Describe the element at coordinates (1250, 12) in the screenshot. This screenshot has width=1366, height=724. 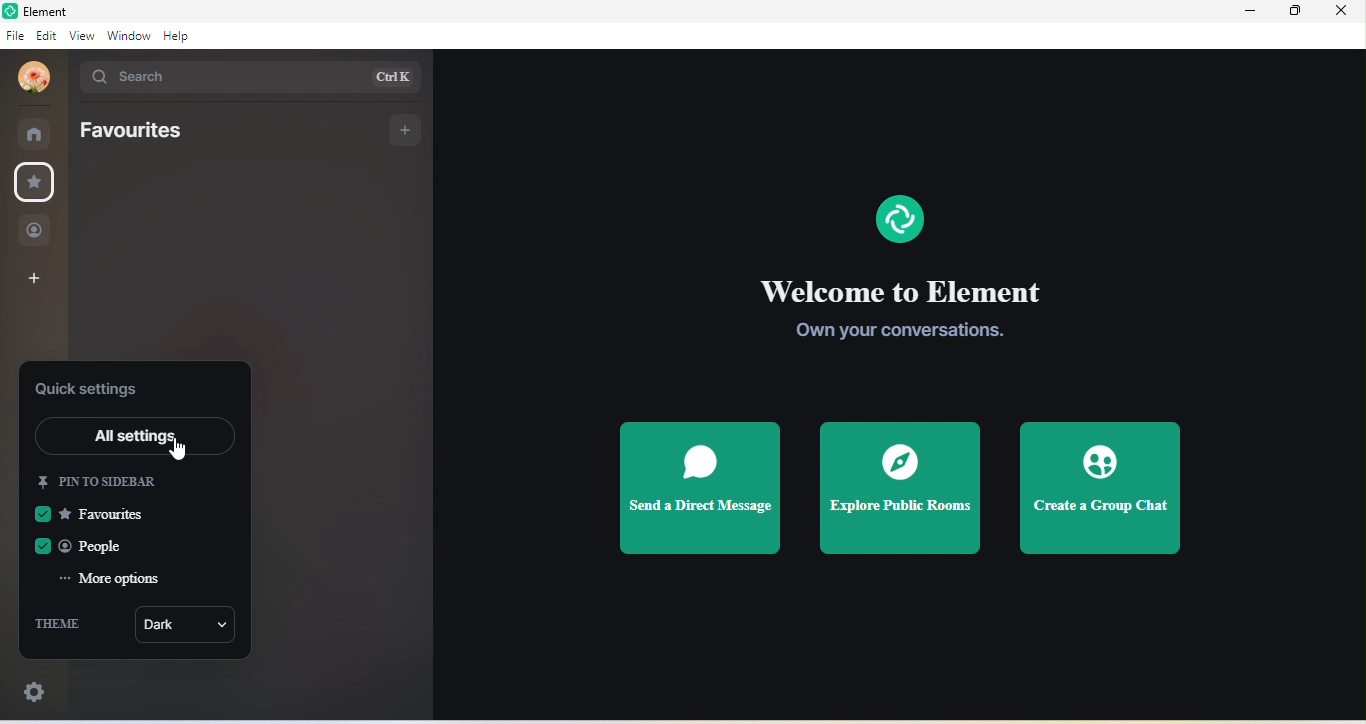
I see `minimize` at that location.